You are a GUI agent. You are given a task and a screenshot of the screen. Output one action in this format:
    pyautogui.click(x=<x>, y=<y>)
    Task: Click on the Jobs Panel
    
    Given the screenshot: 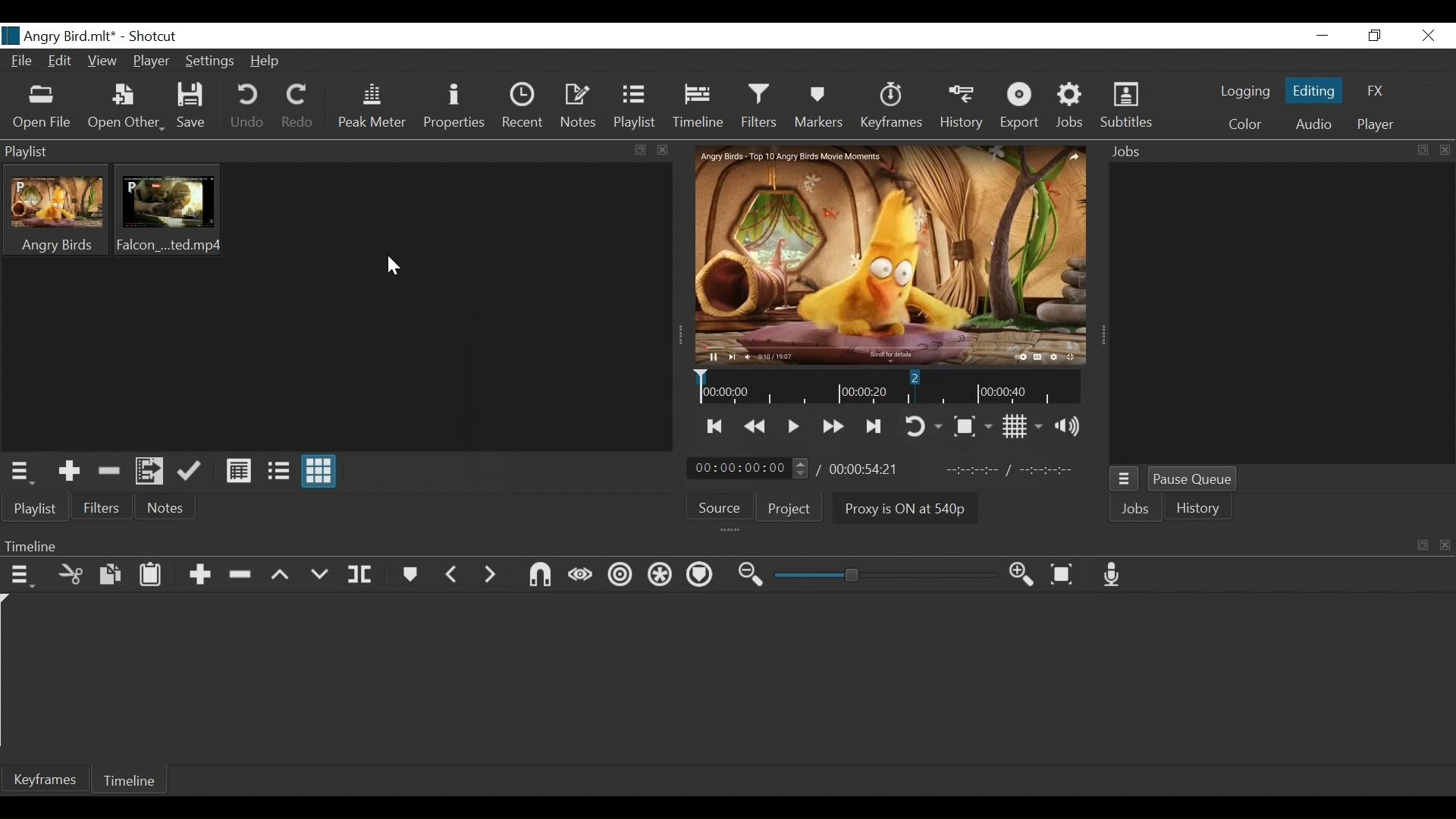 What is the action you would take?
    pyautogui.click(x=1278, y=152)
    